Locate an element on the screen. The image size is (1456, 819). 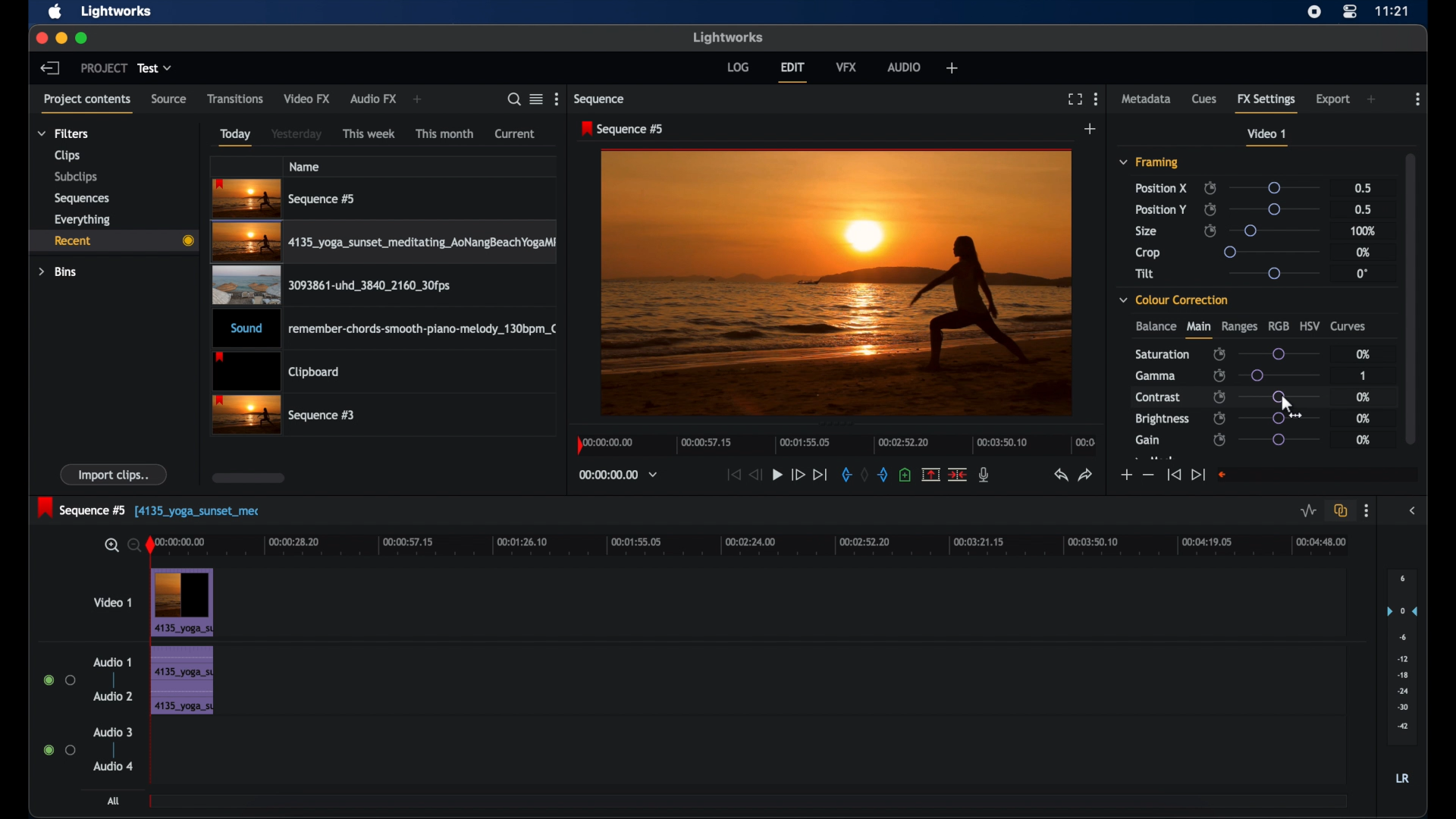
hsv is located at coordinates (1310, 325).